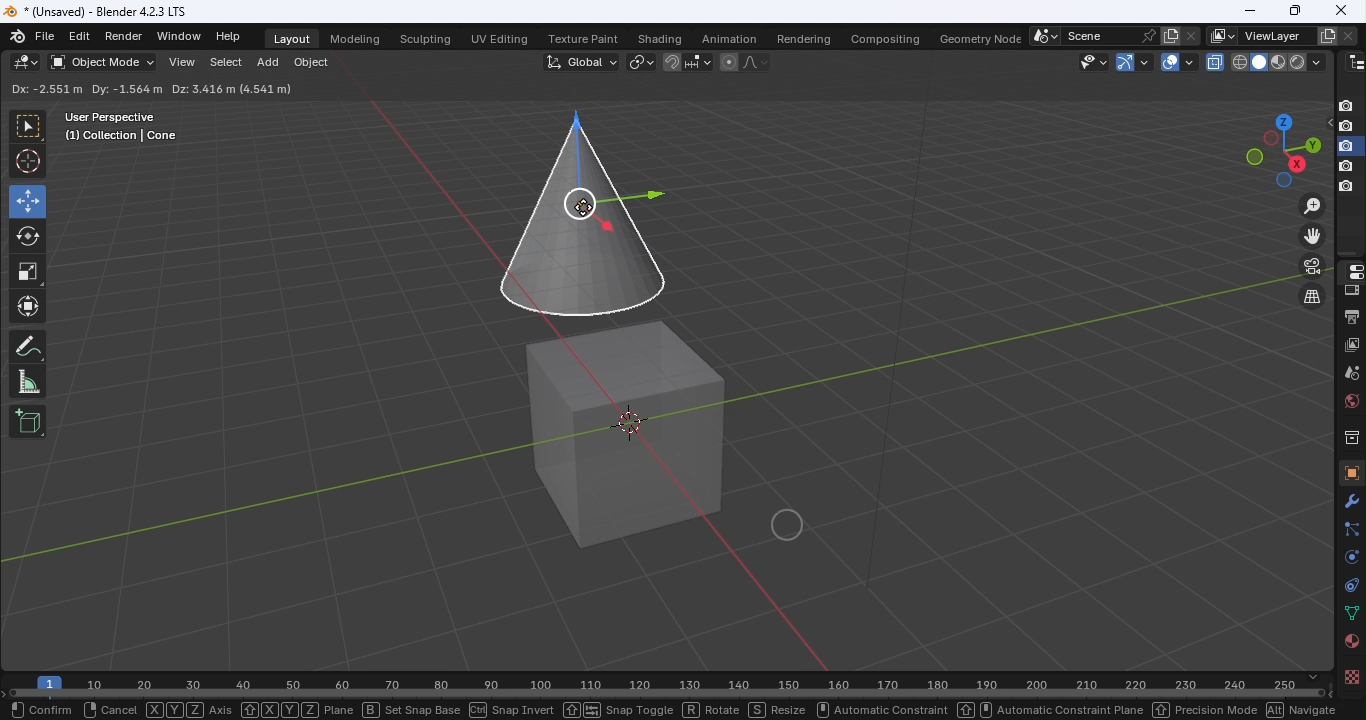 This screenshot has width=1366, height=720. Describe the element at coordinates (353, 37) in the screenshot. I see `Modeling` at that location.